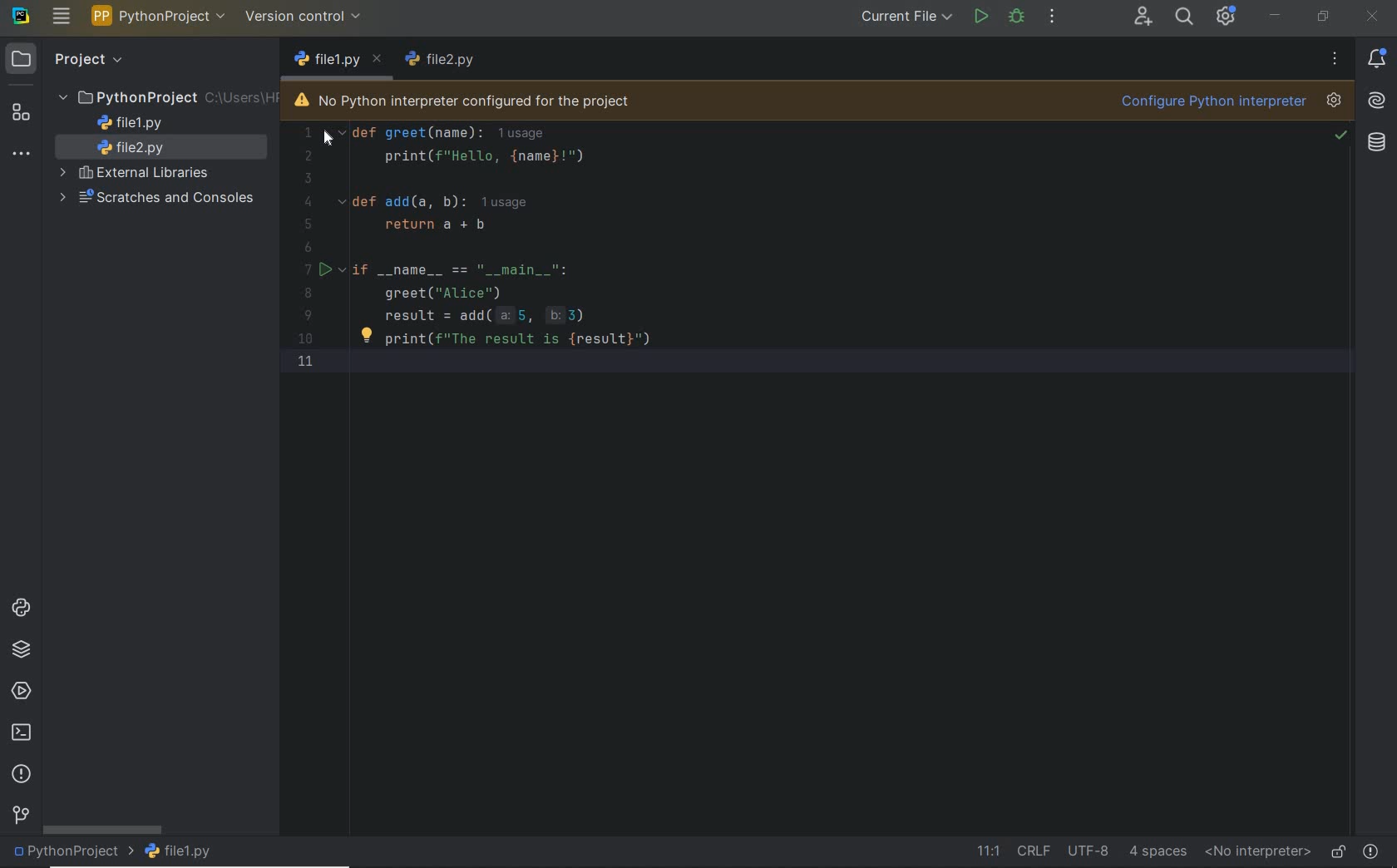 This screenshot has width=1397, height=868. I want to click on database, so click(1377, 142).